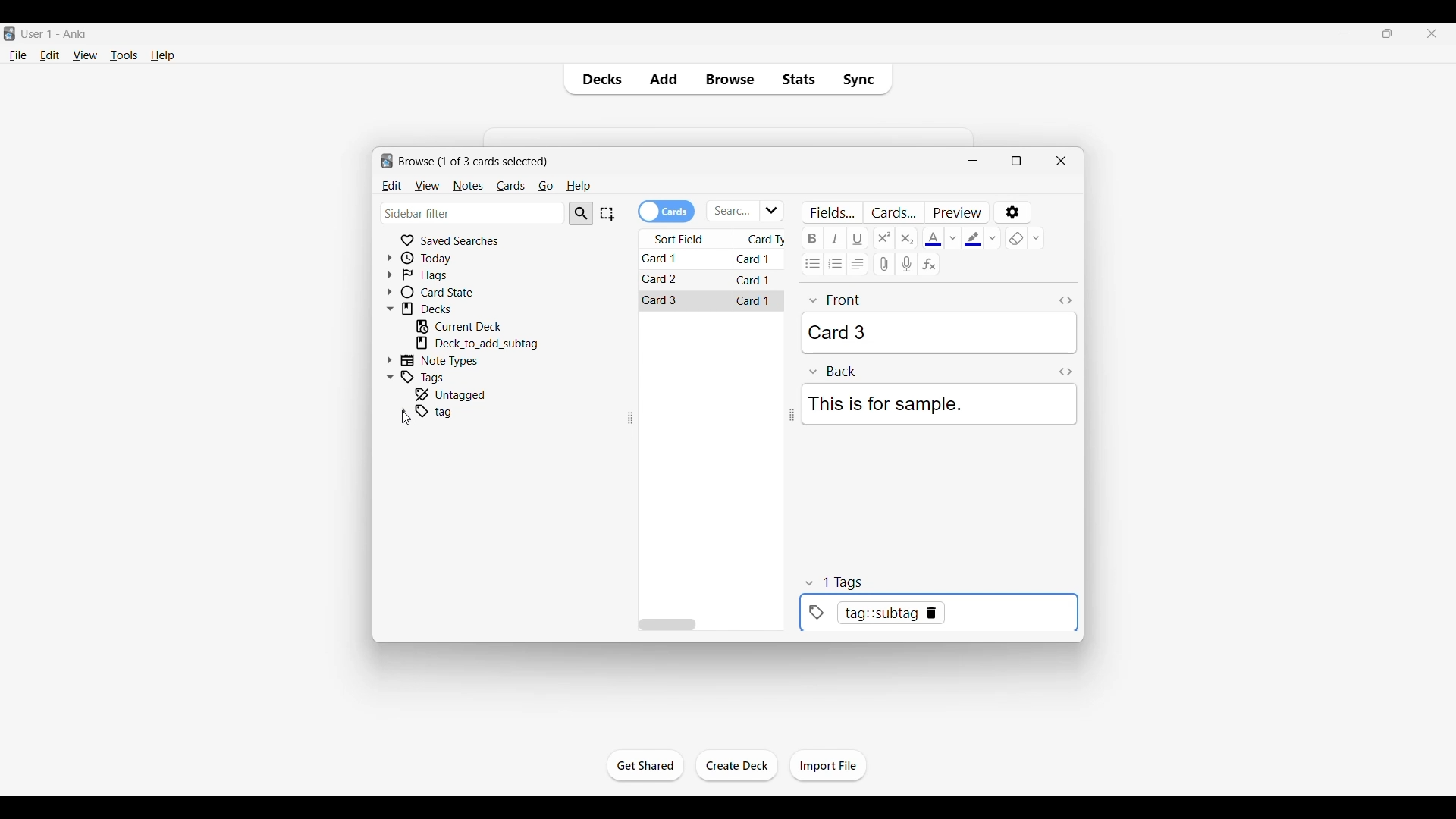 The width and height of the screenshot is (1456, 819). Describe the element at coordinates (11, 33) in the screenshot. I see `Software logo` at that location.